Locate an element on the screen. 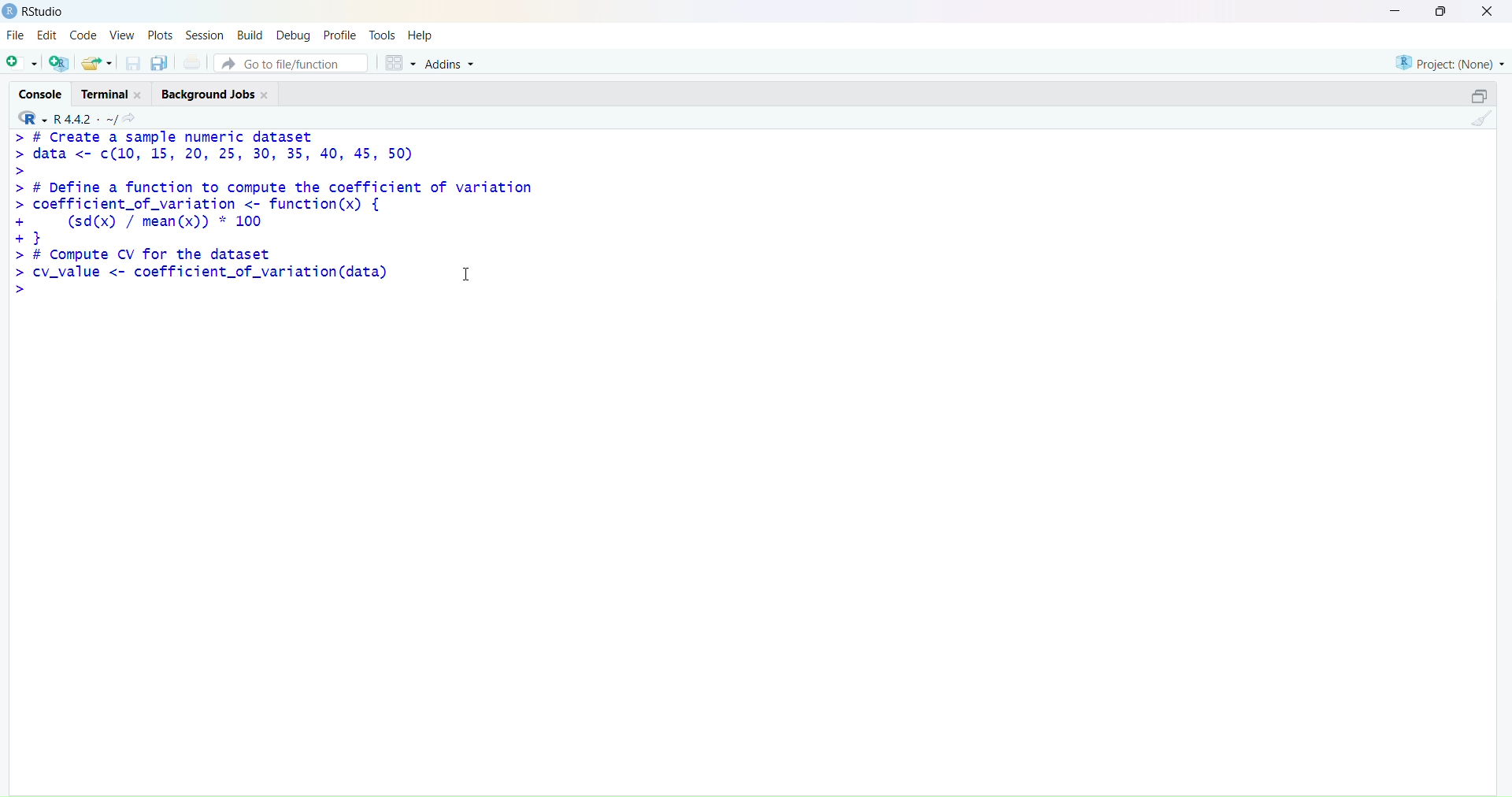  close is located at coordinates (1487, 11).